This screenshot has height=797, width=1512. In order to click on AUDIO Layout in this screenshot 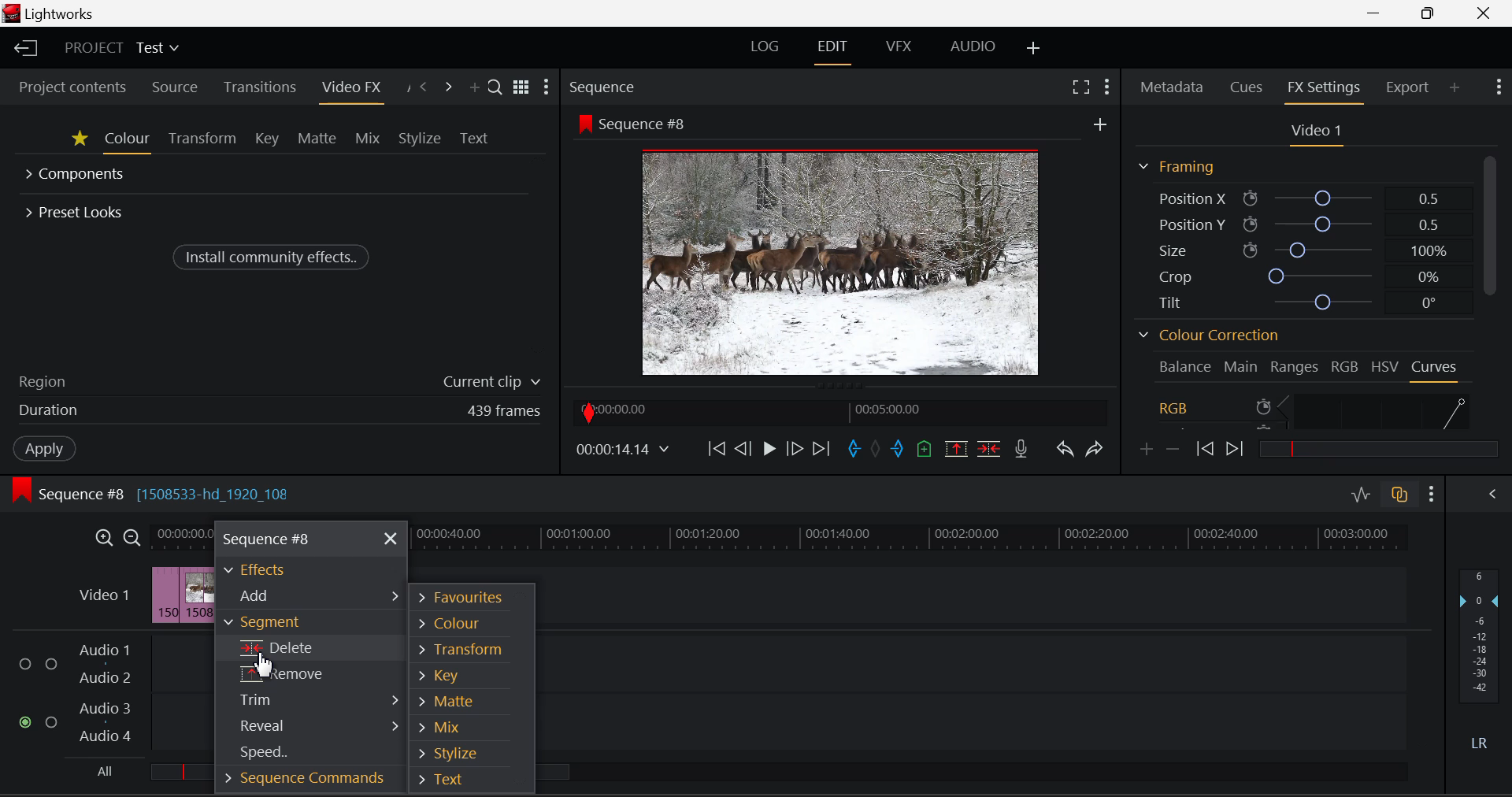, I will do `click(975, 46)`.